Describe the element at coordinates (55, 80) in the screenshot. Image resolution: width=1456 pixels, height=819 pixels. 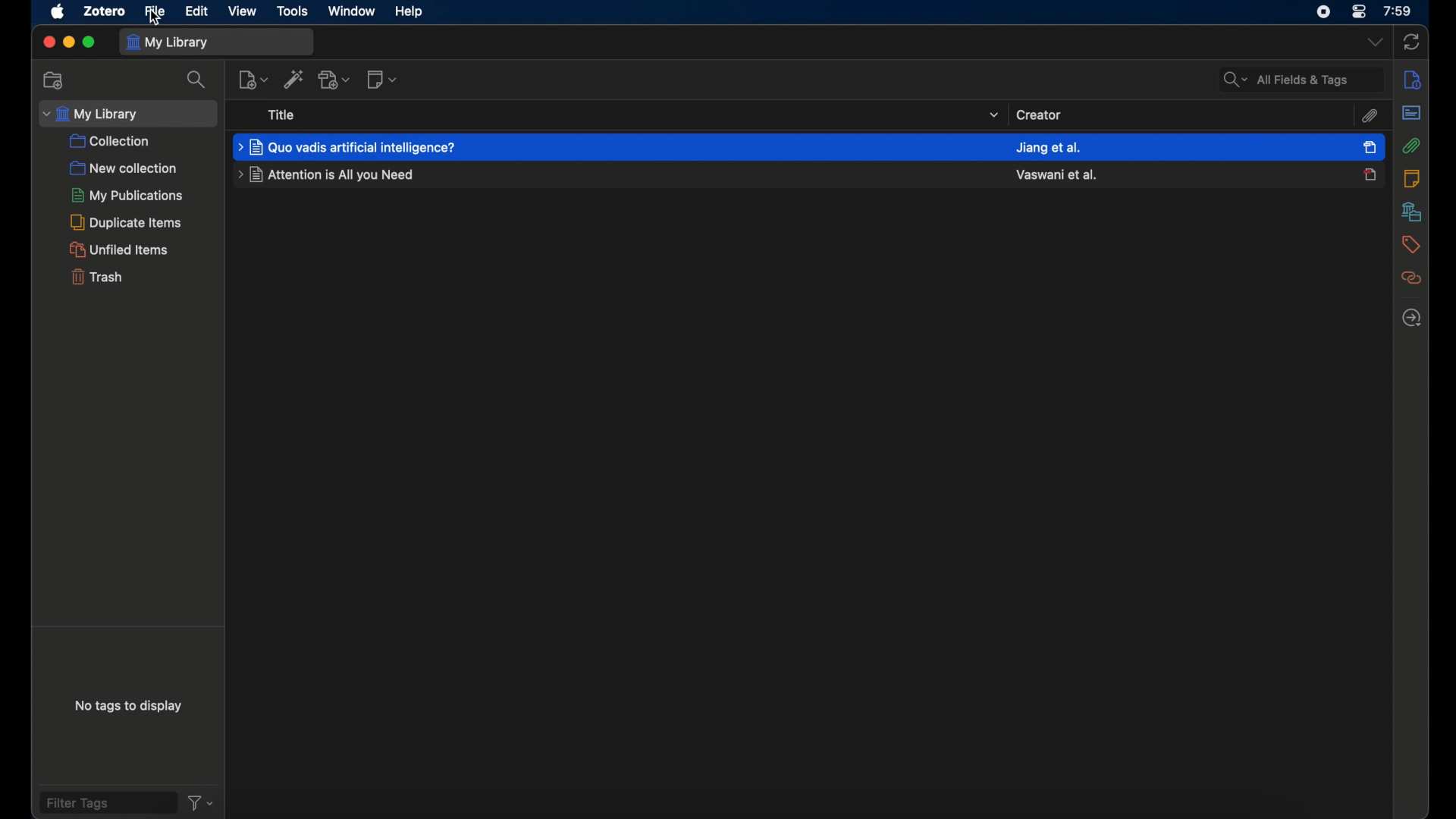
I see `new collection` at that location.